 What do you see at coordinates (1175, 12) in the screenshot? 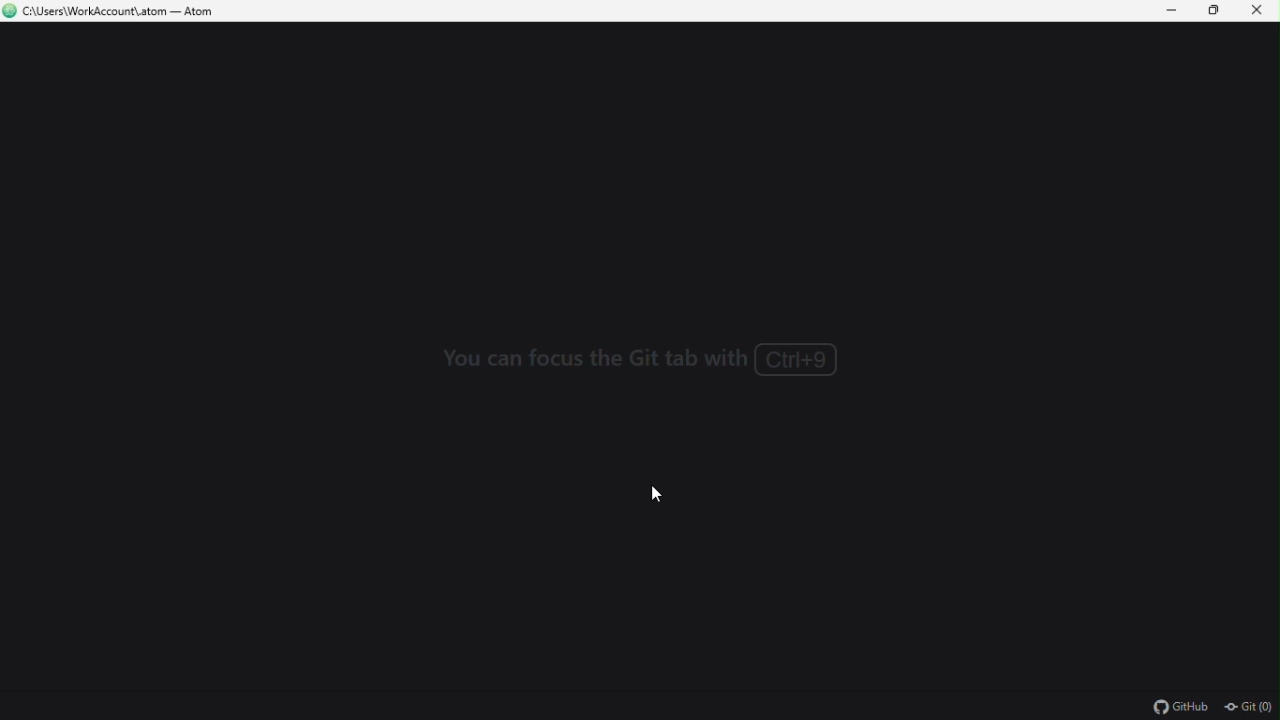
I see `Minimise` at bounding box center [1175, 12].